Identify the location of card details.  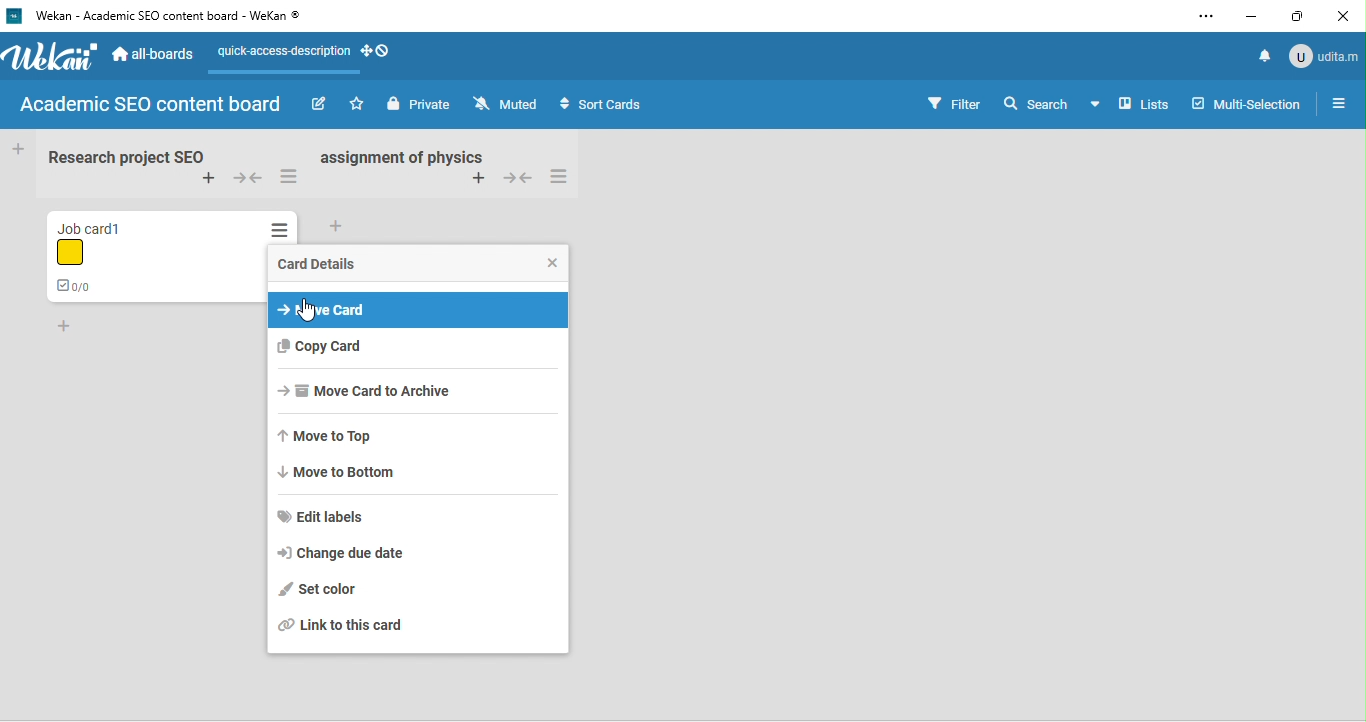
(315, 264).